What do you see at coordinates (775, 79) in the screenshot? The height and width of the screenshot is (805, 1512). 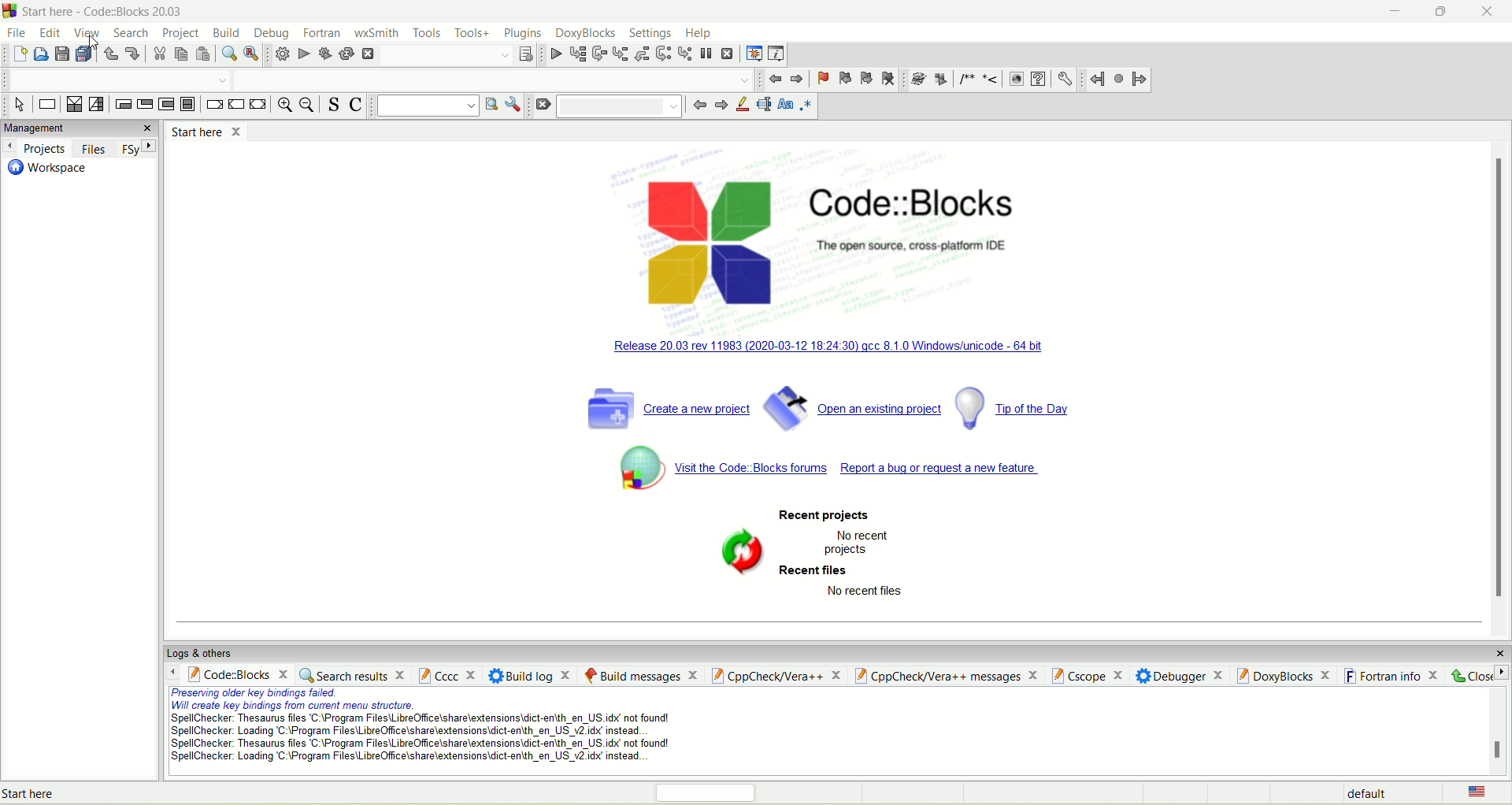 I see `jump back` at bounding box center [775, 79].